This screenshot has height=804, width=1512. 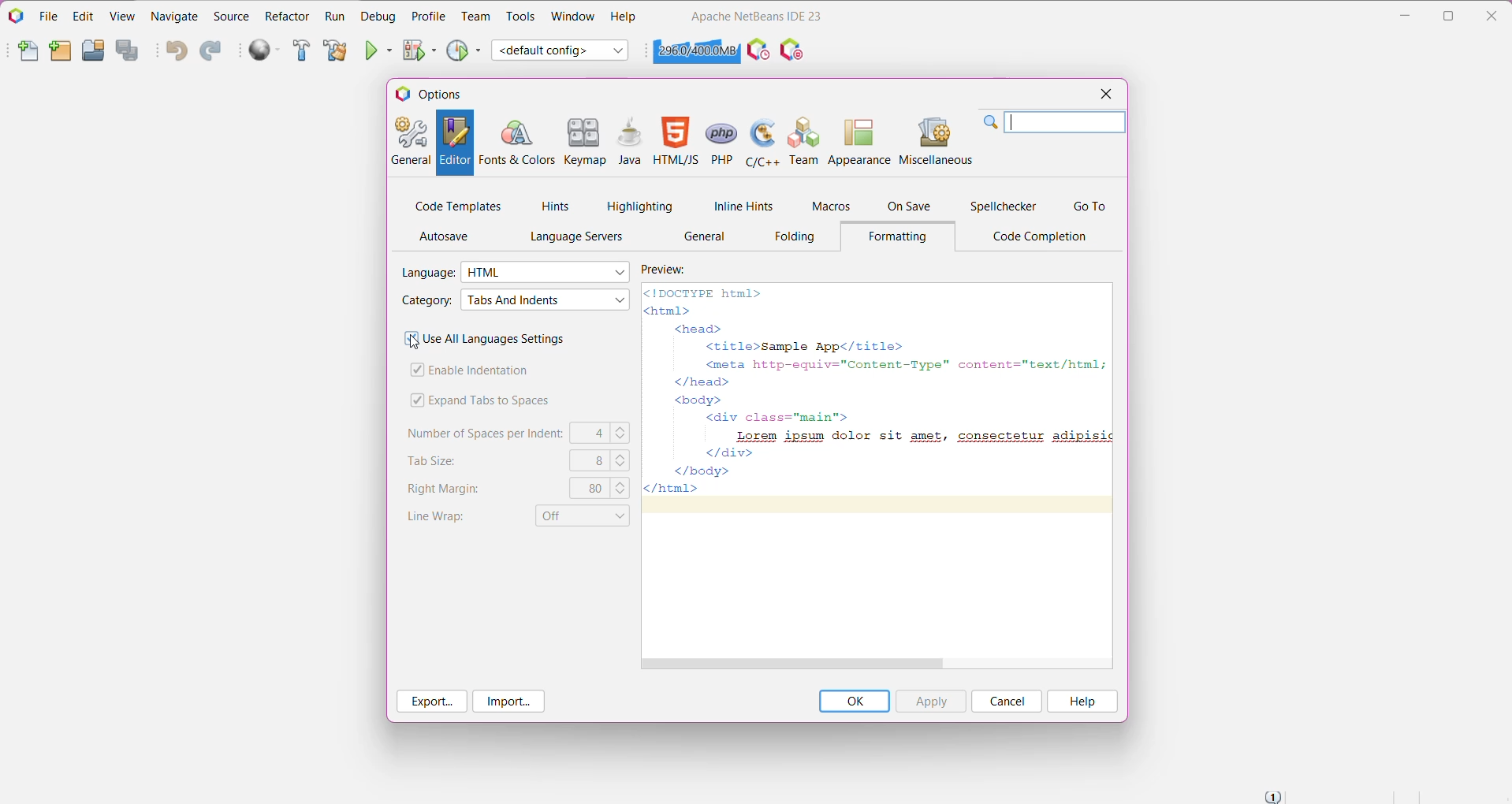 I want to click on Macros, so click(x=829, y=208).